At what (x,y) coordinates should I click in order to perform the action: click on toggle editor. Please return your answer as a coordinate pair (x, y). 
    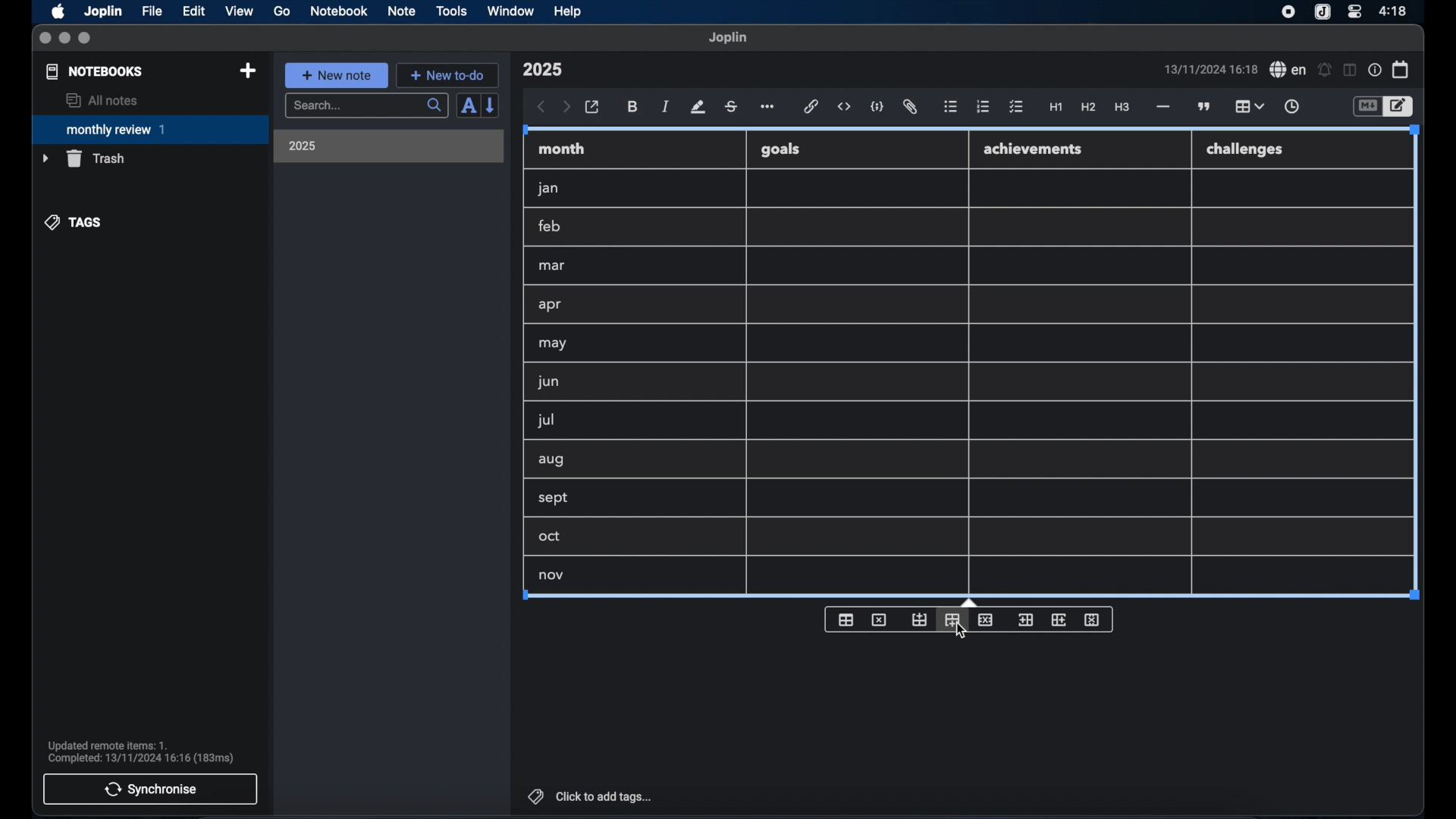
    Looking at the image, I should click on (1367, 107).